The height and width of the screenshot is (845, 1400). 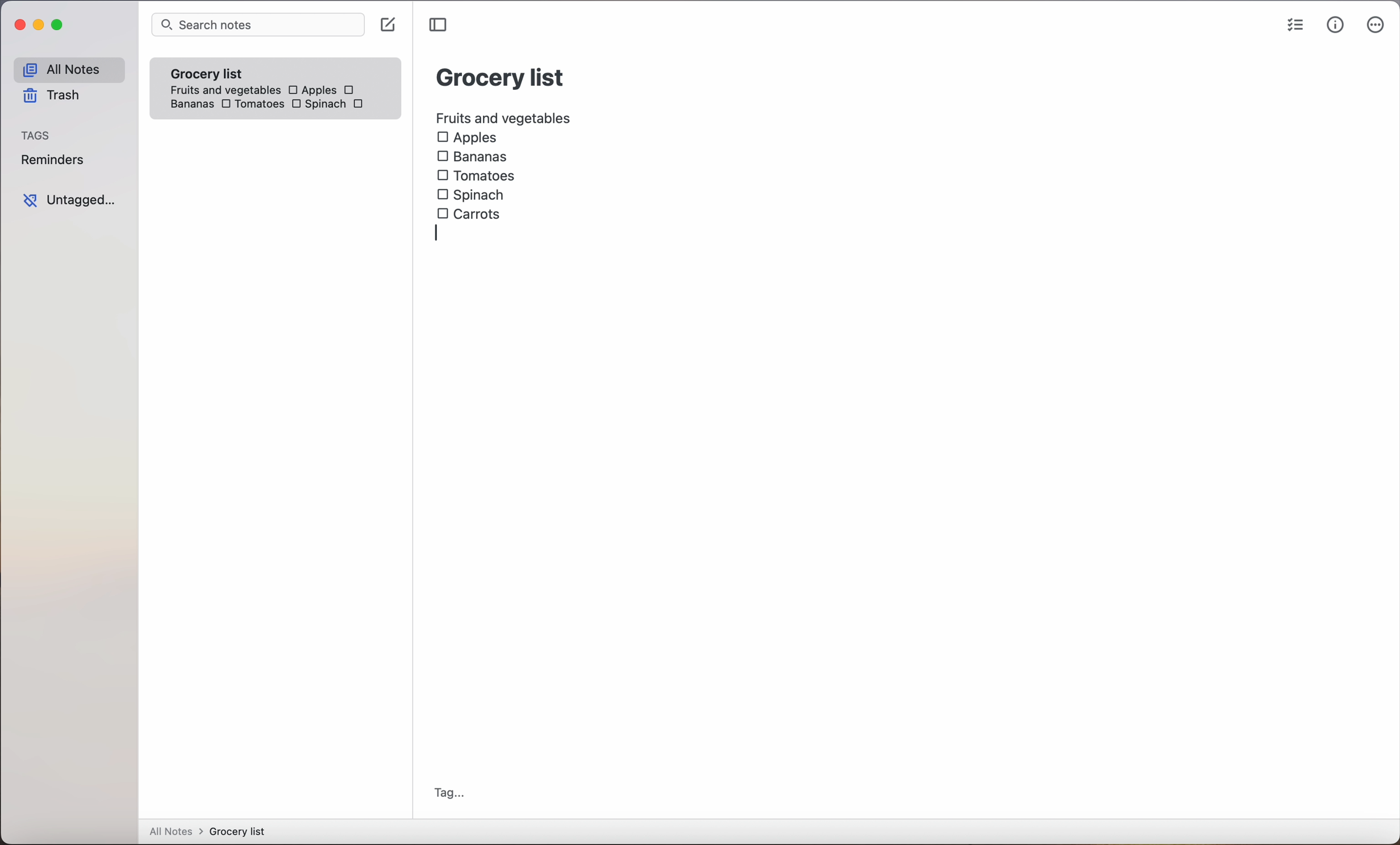 I want to click on reminders, so click(x=52, y=162).